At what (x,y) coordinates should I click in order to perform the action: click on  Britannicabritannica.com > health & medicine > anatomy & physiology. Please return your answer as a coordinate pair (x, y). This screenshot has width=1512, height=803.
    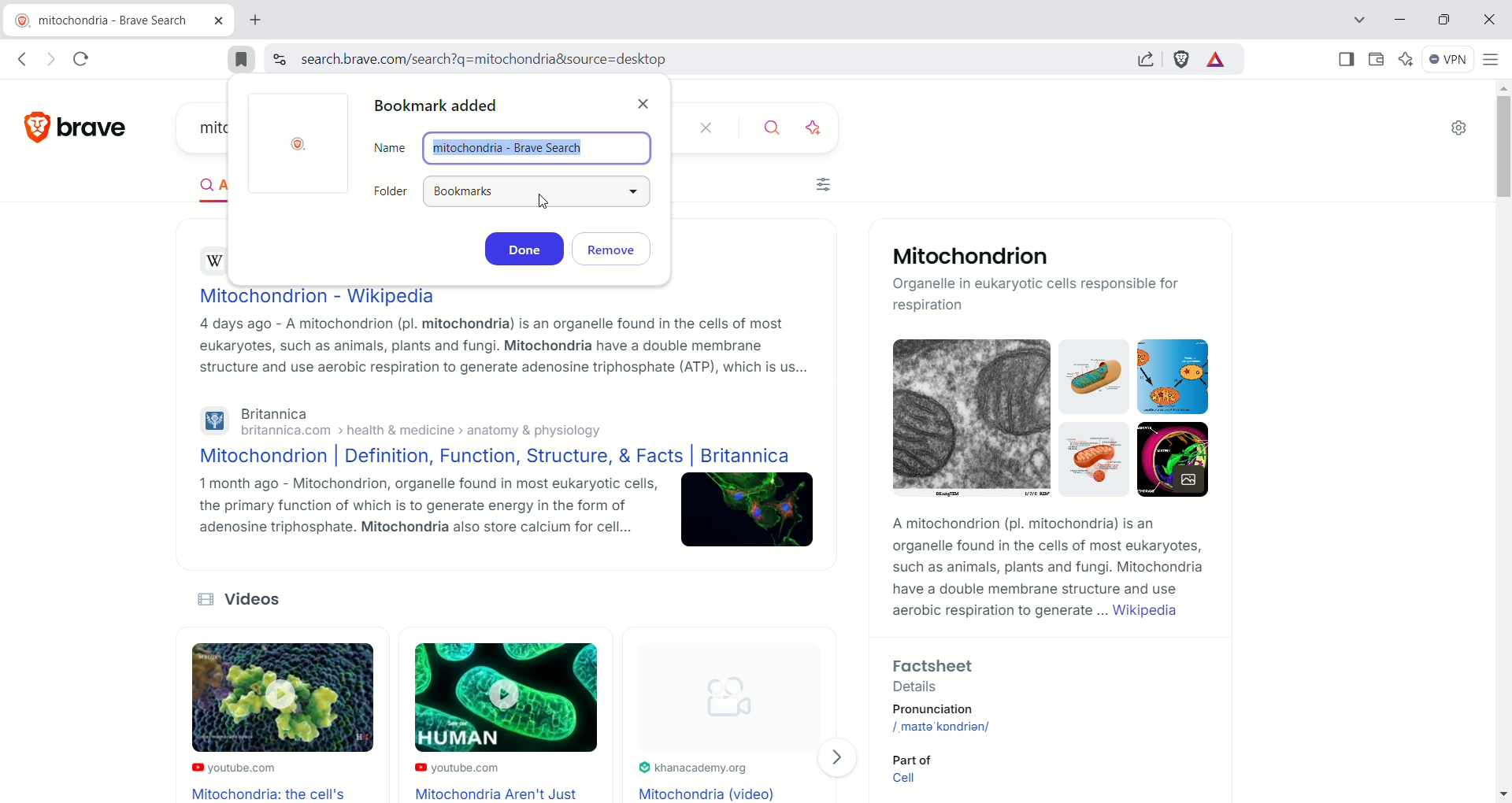
    Looking at the image, I should click on (400, 421).